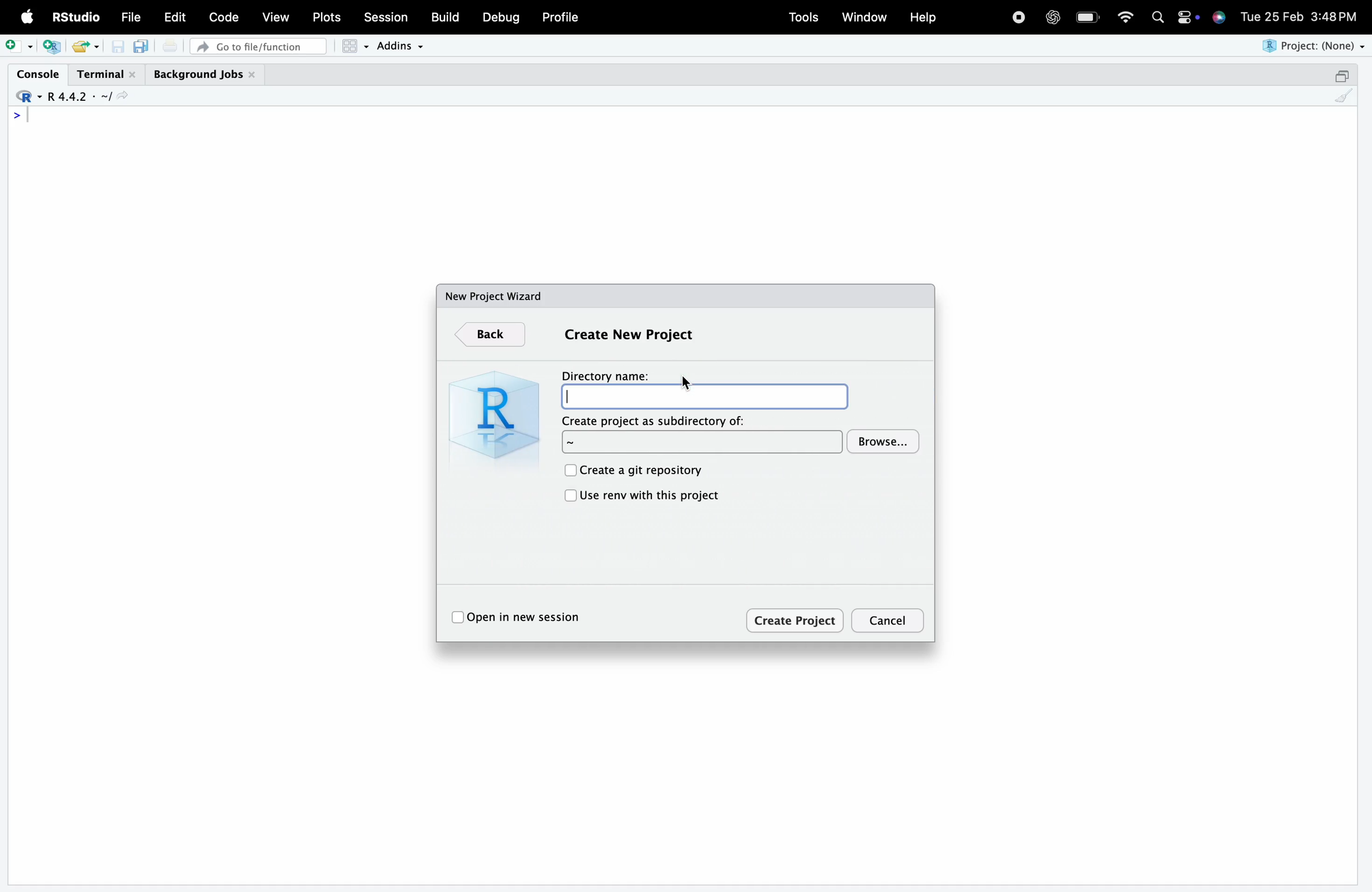 This screenshot has width=1372, height=892. What do you see at coordinates (561, 17) in the screenshot?
I see `Profile` at bounding box center [561, 17].